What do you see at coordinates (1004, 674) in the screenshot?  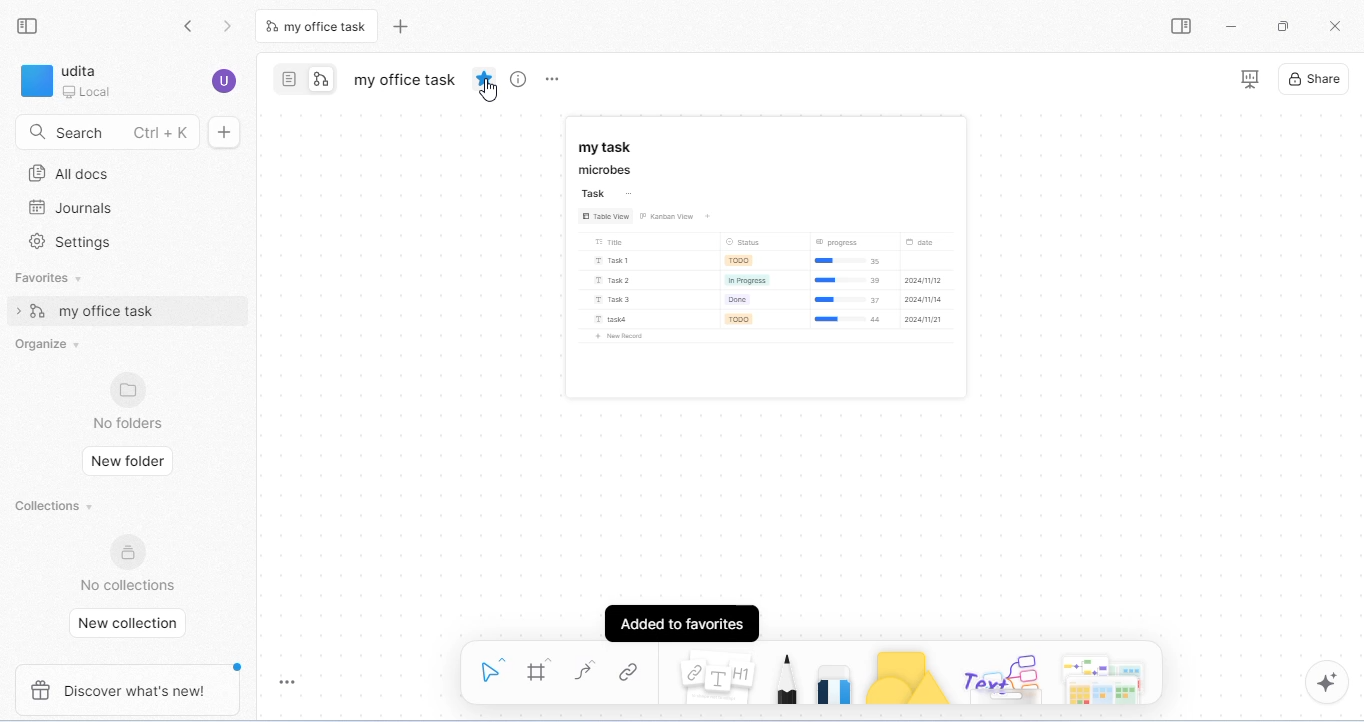 I see `others` at bounding box center [1004, 674].